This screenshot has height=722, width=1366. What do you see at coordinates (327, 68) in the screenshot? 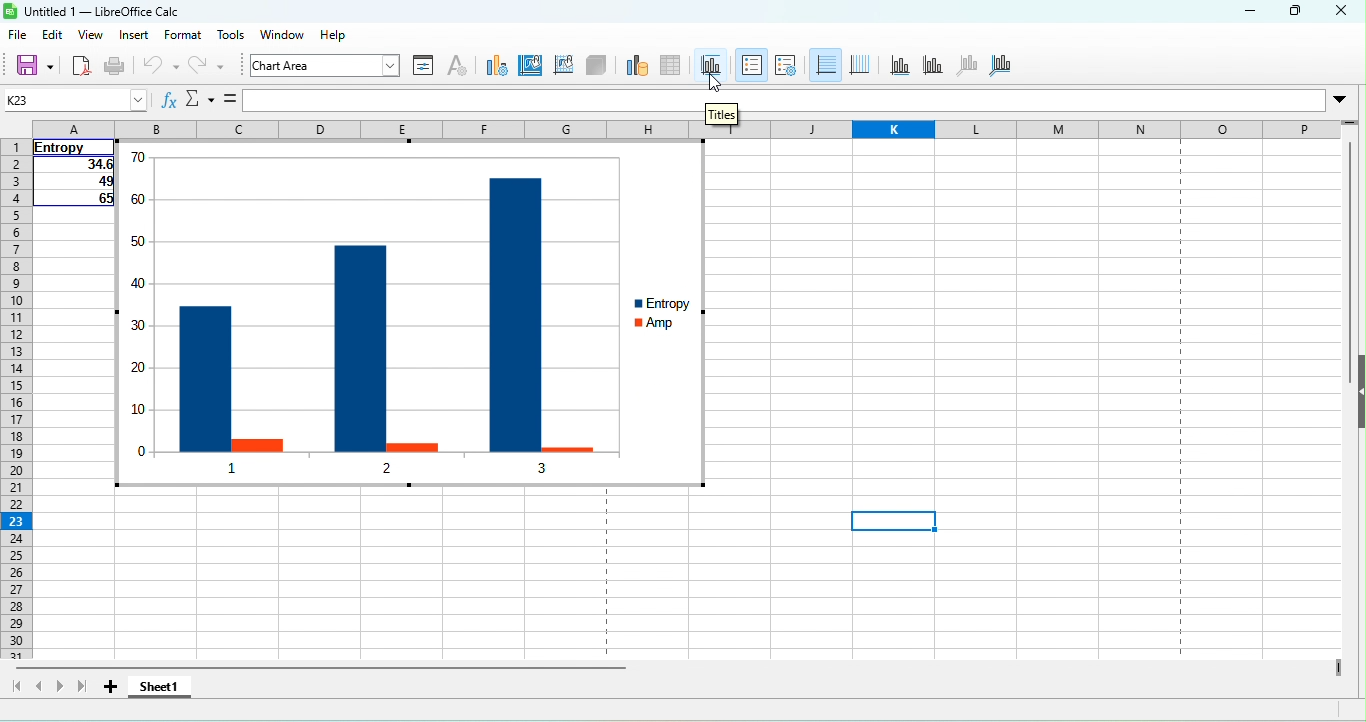
I see `chart area` at bounding box center [327, 68].